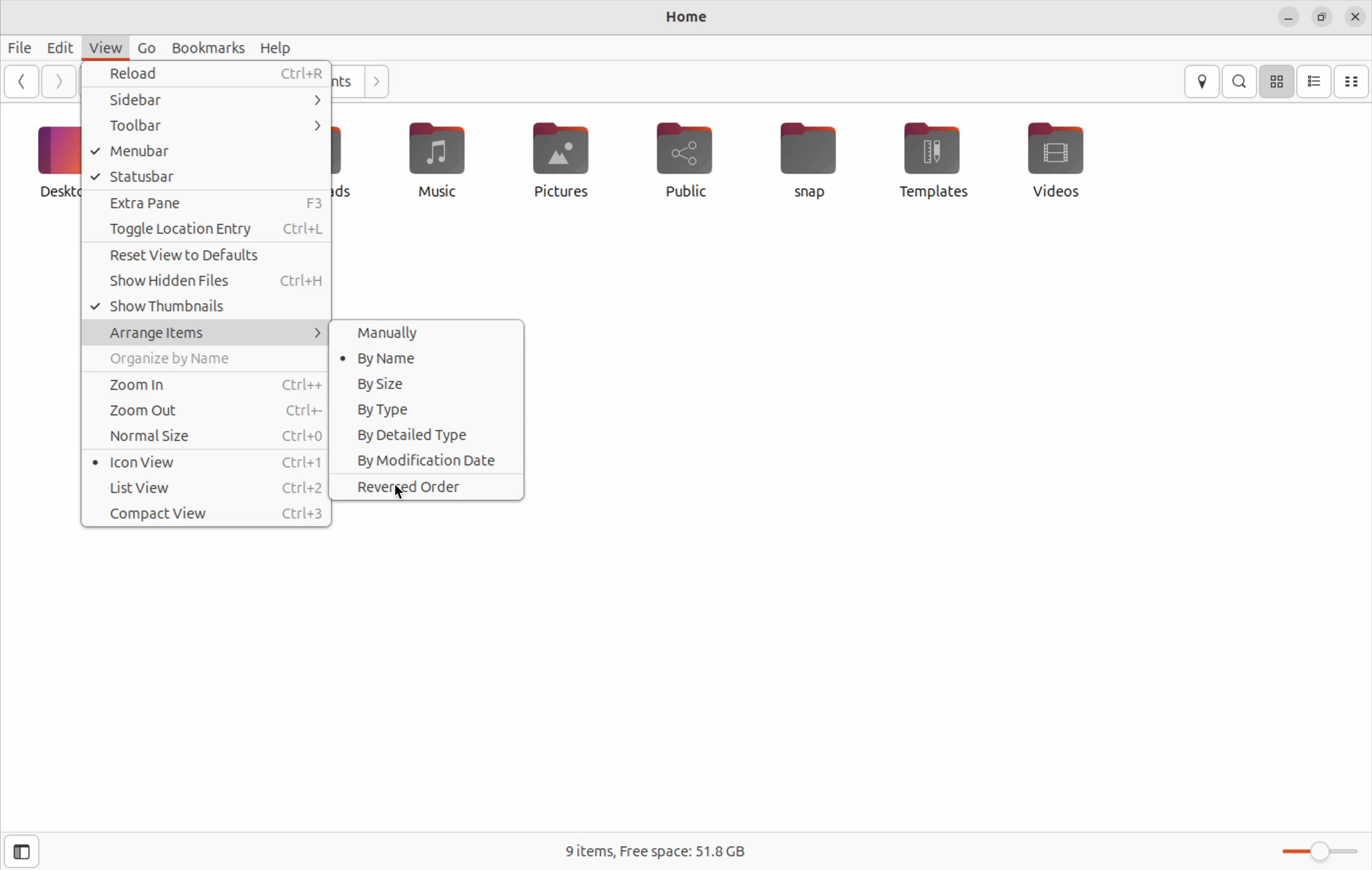 This screenshot has width=1372, height=870. I want to click on minimize, so click(1288, 18).